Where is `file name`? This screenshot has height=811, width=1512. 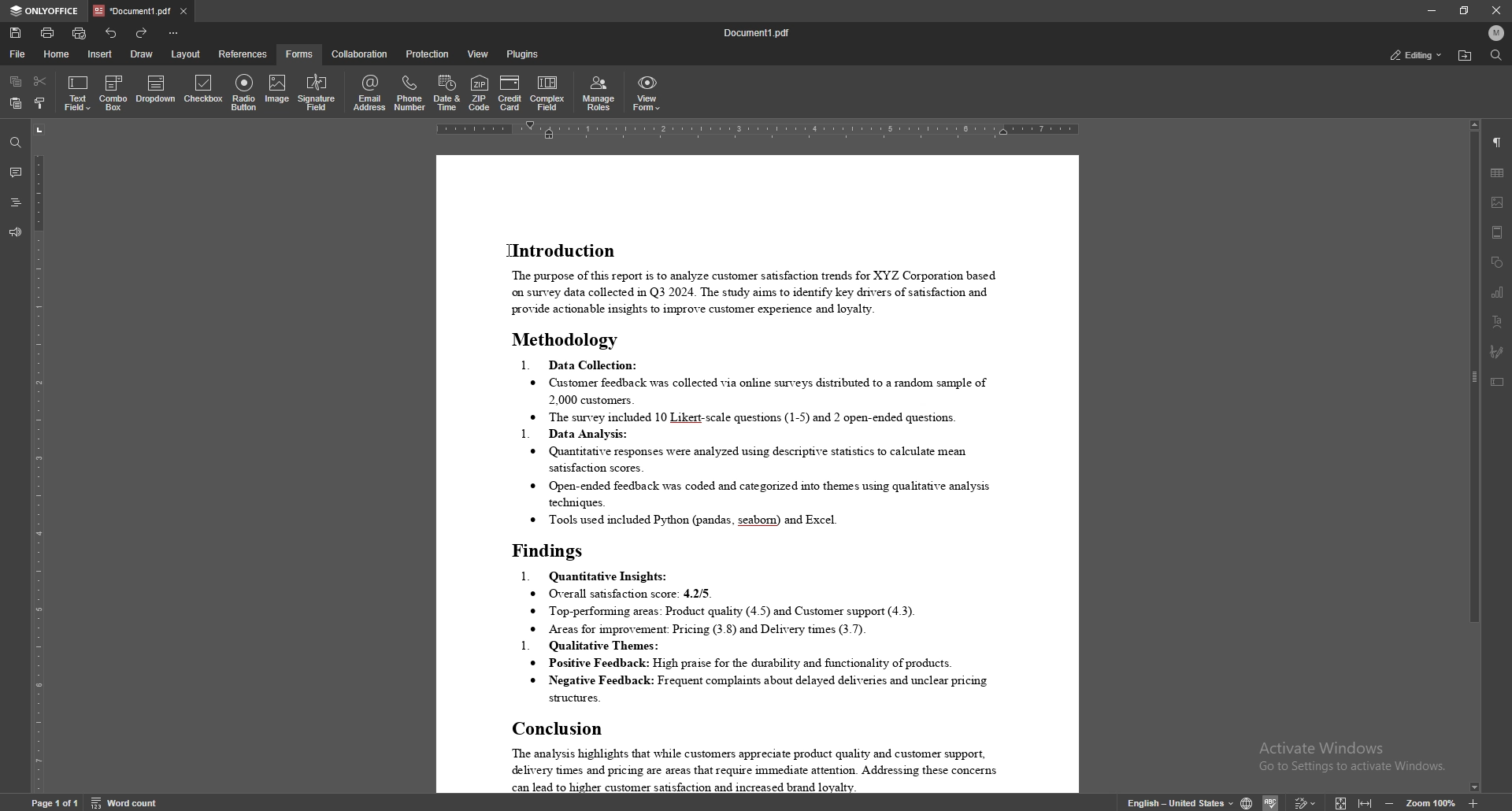 file name is located at coordinates (758, 32).